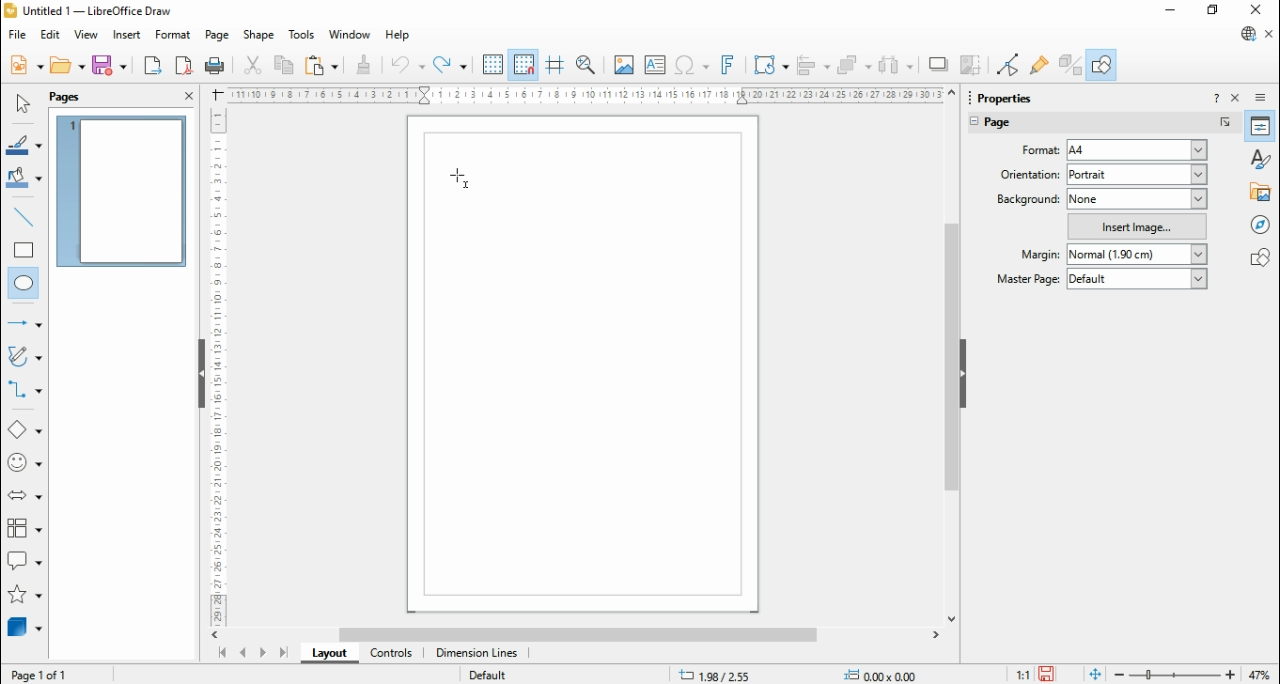 The image size is (1280, 684). I want to click on rectangle, so click(24, 249).